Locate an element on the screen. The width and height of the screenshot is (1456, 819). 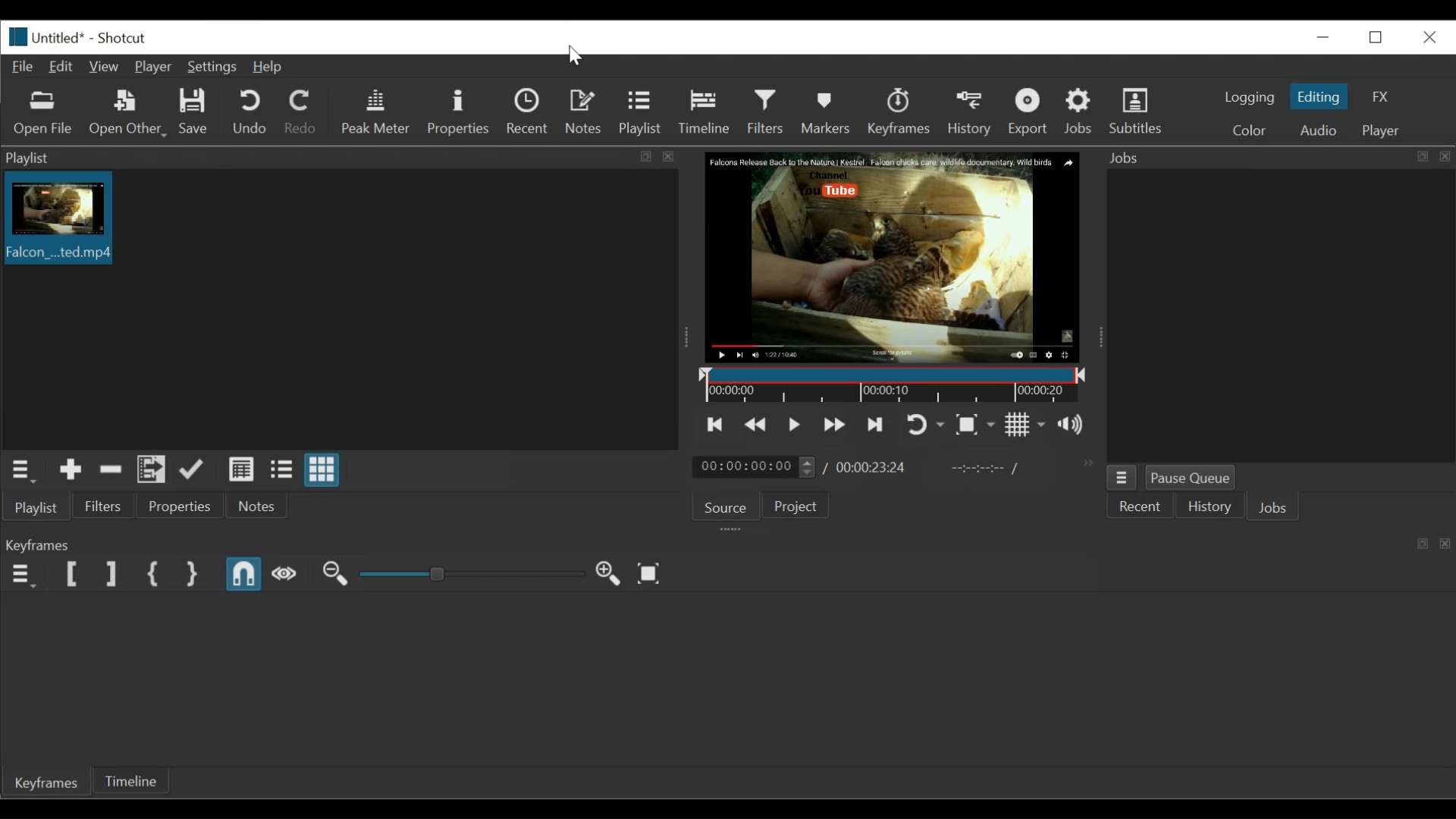
Play quickly backward is located at coordinates (755, 422).